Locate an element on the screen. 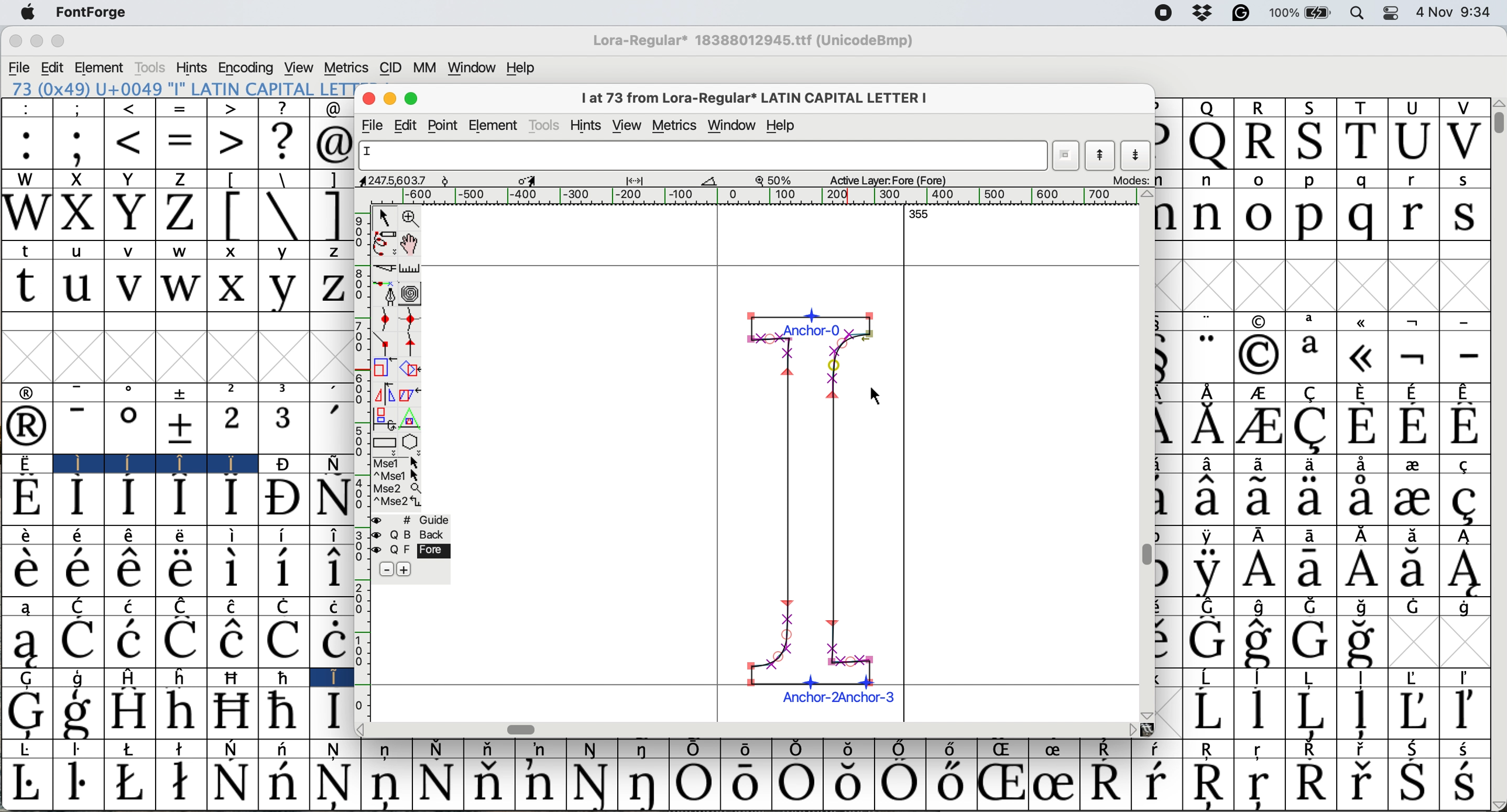  Symbol is located at coordinates (1466, 570).